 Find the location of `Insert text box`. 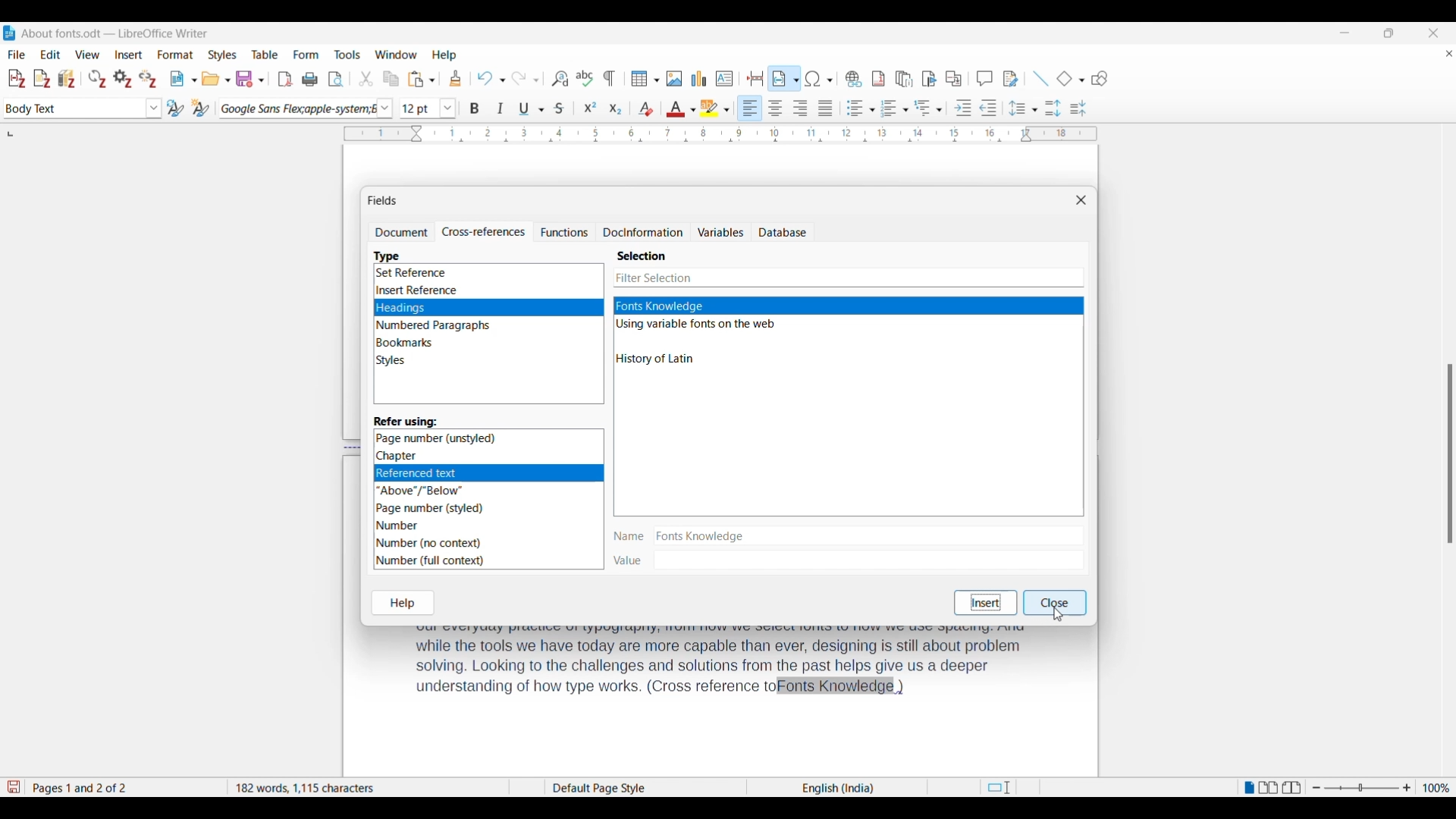

Insert text box is located at coordinates (725, 79).